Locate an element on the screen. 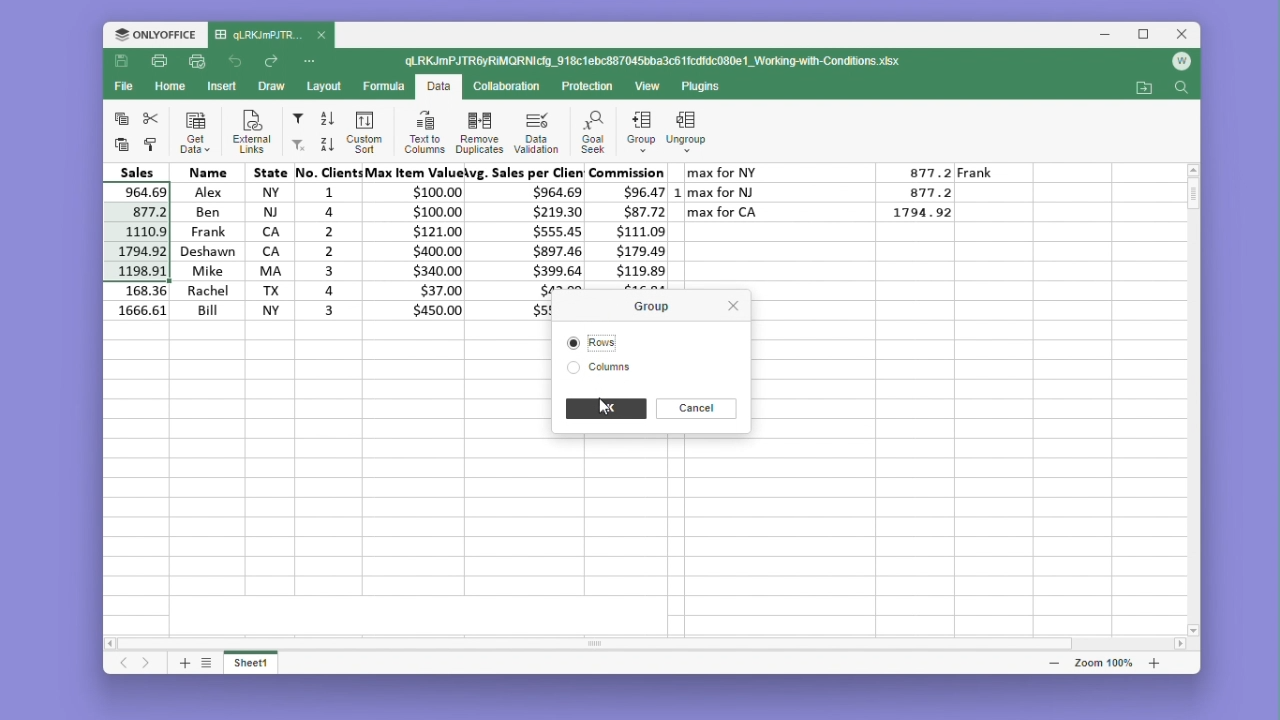 The width and height of the screenshot is (1280, 720). Only office logo is located at coordinates (155, 36).